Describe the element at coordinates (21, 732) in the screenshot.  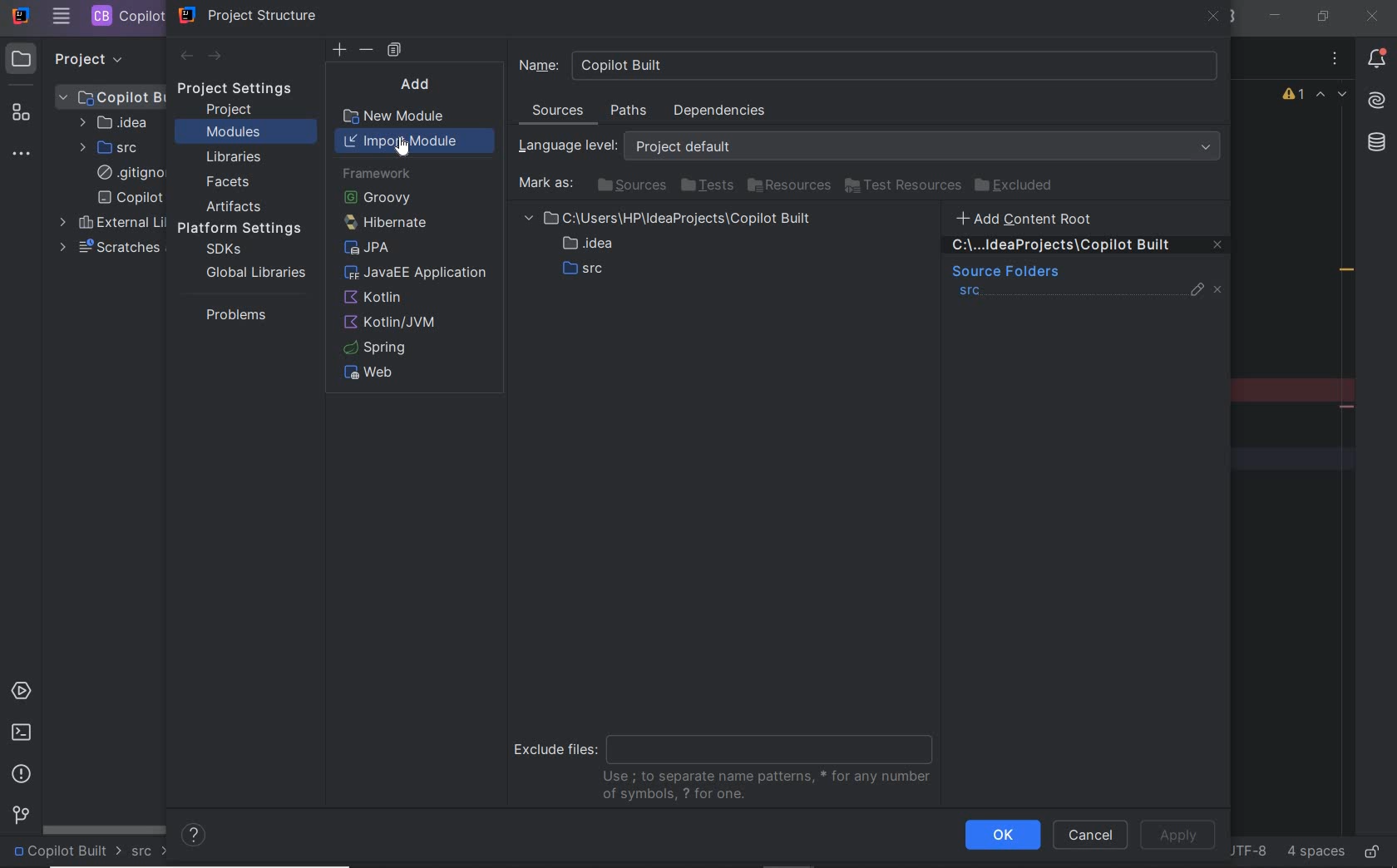
I see `terminal` at that location.